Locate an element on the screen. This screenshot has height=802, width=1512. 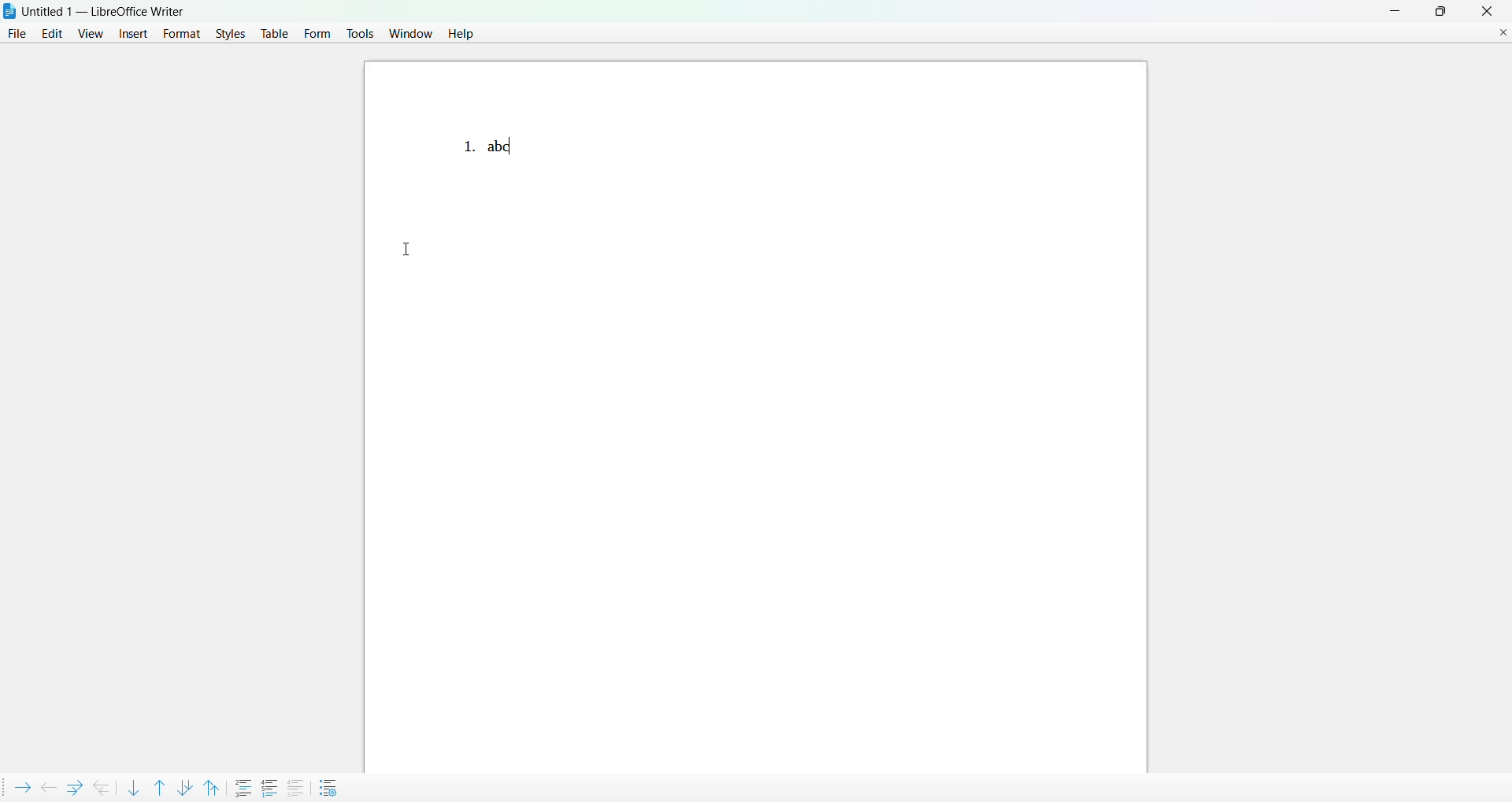
Untitled 1 - LibreOffice Writer is located at coordinates (106, 11).